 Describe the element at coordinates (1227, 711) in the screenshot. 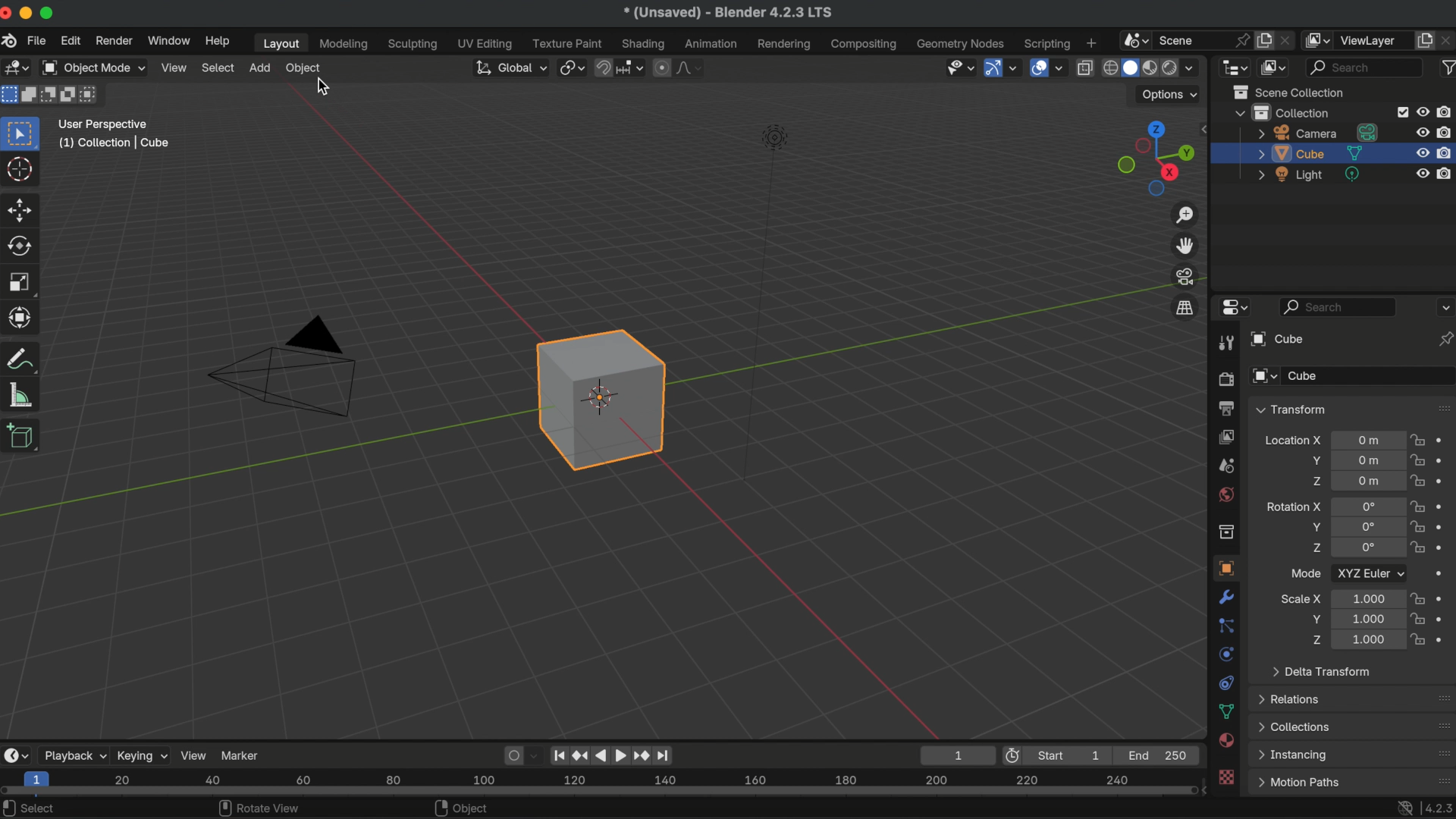

I see `data` at that location.